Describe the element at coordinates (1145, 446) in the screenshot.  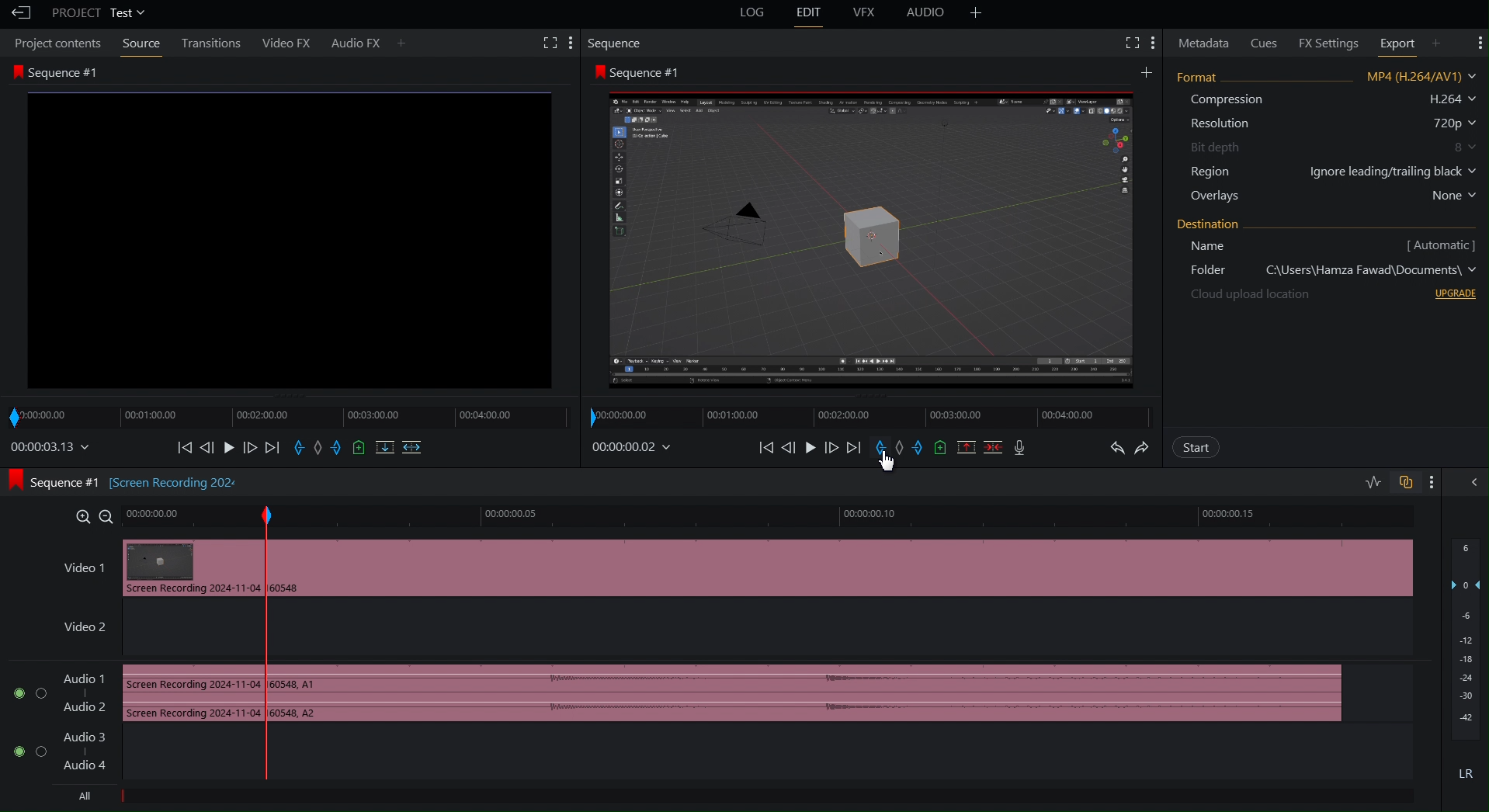
I see `Redo` at that location.